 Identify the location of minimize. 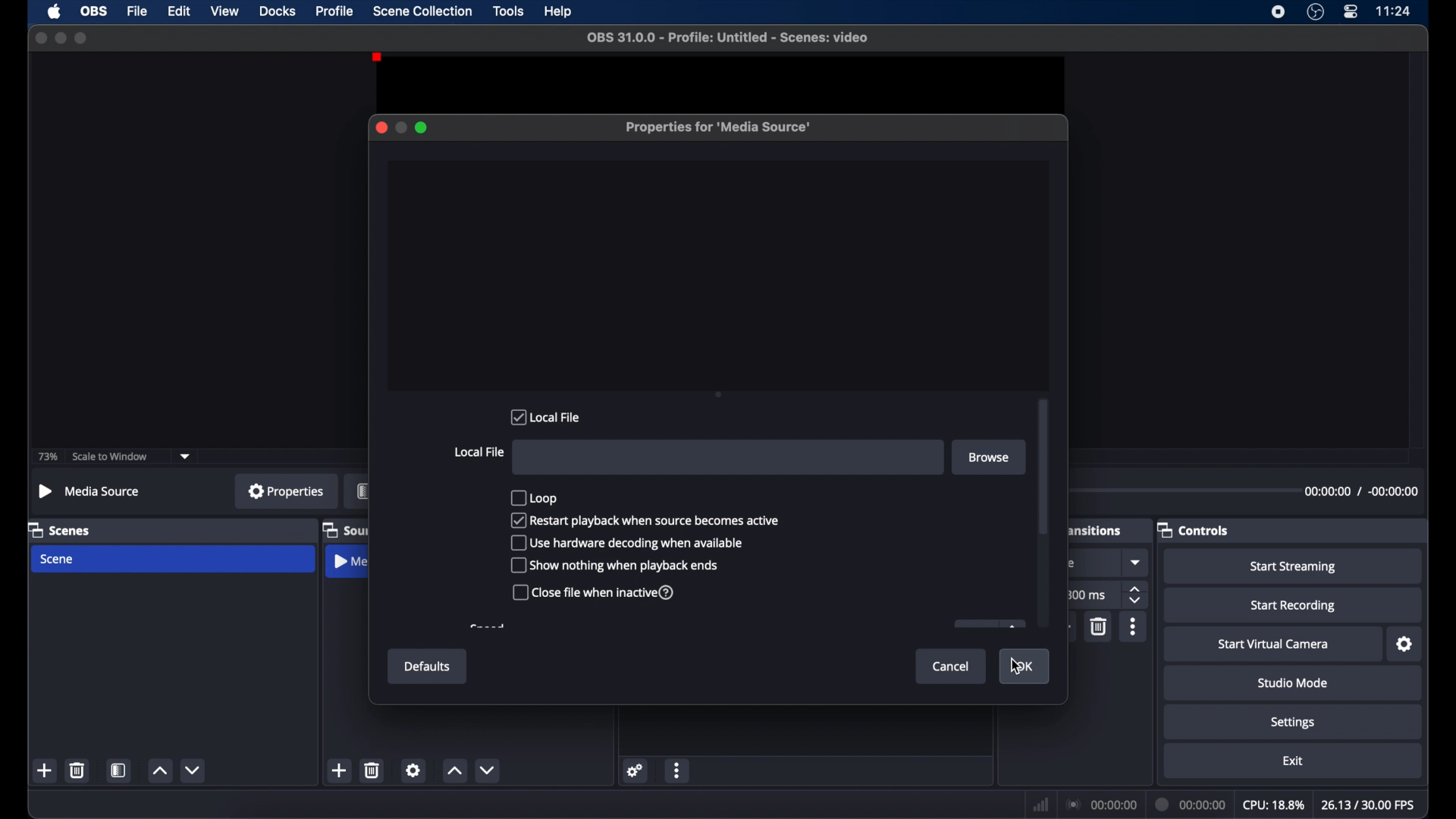
(400, 127).